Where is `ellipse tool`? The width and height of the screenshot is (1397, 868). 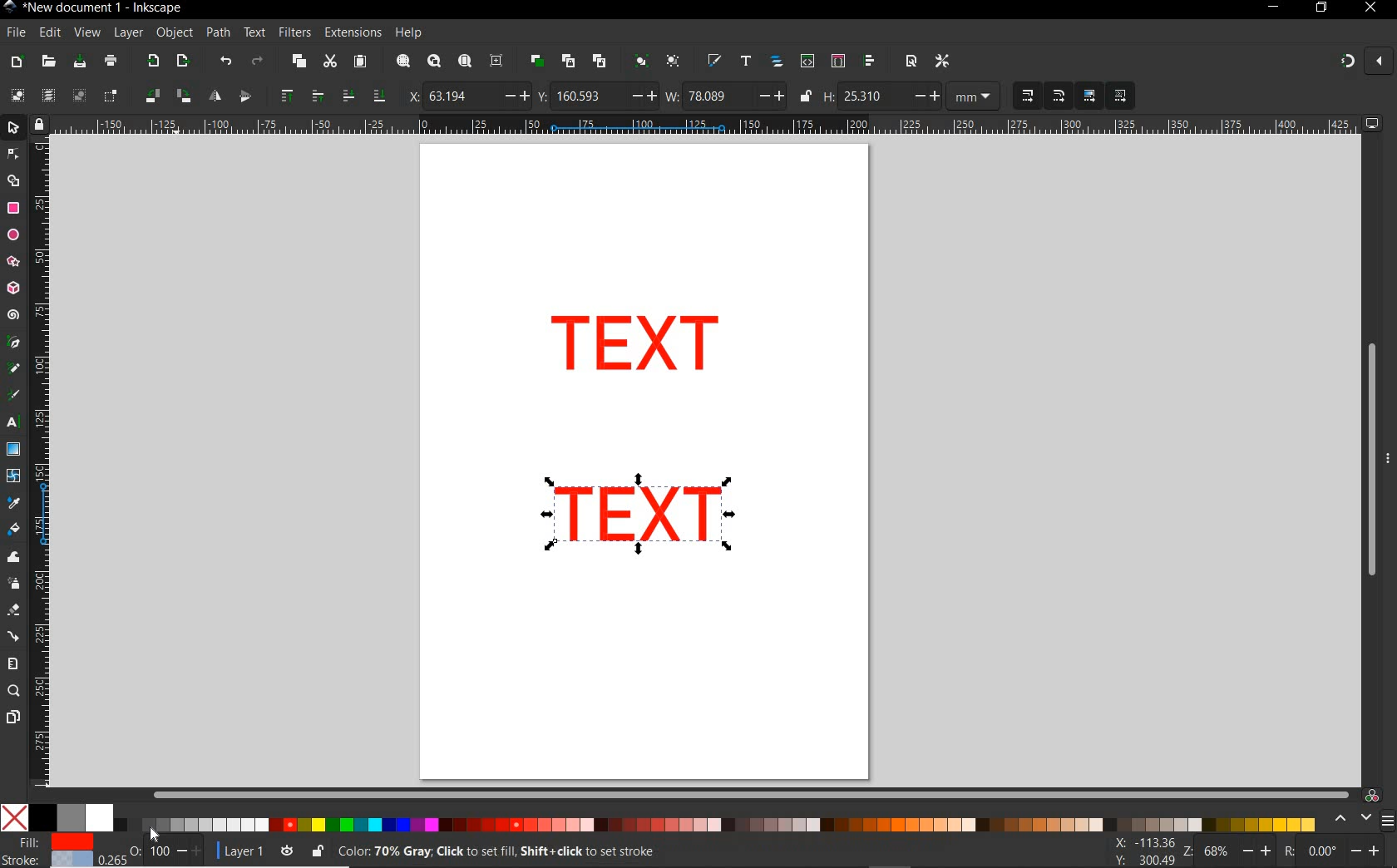
ellipse tool is located at coordinates (12, 234).